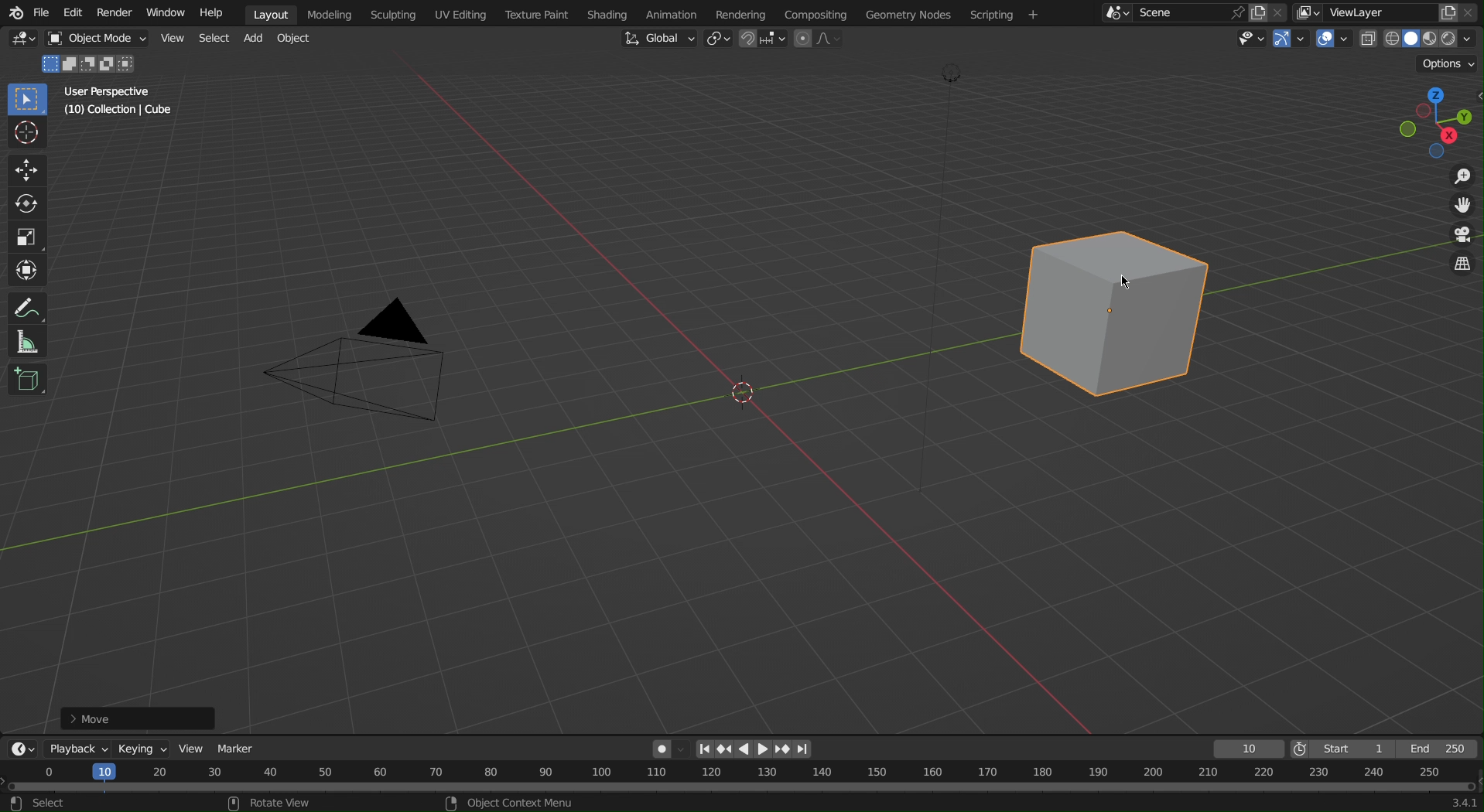  I want to click on Editor Type, so click(20, 749).